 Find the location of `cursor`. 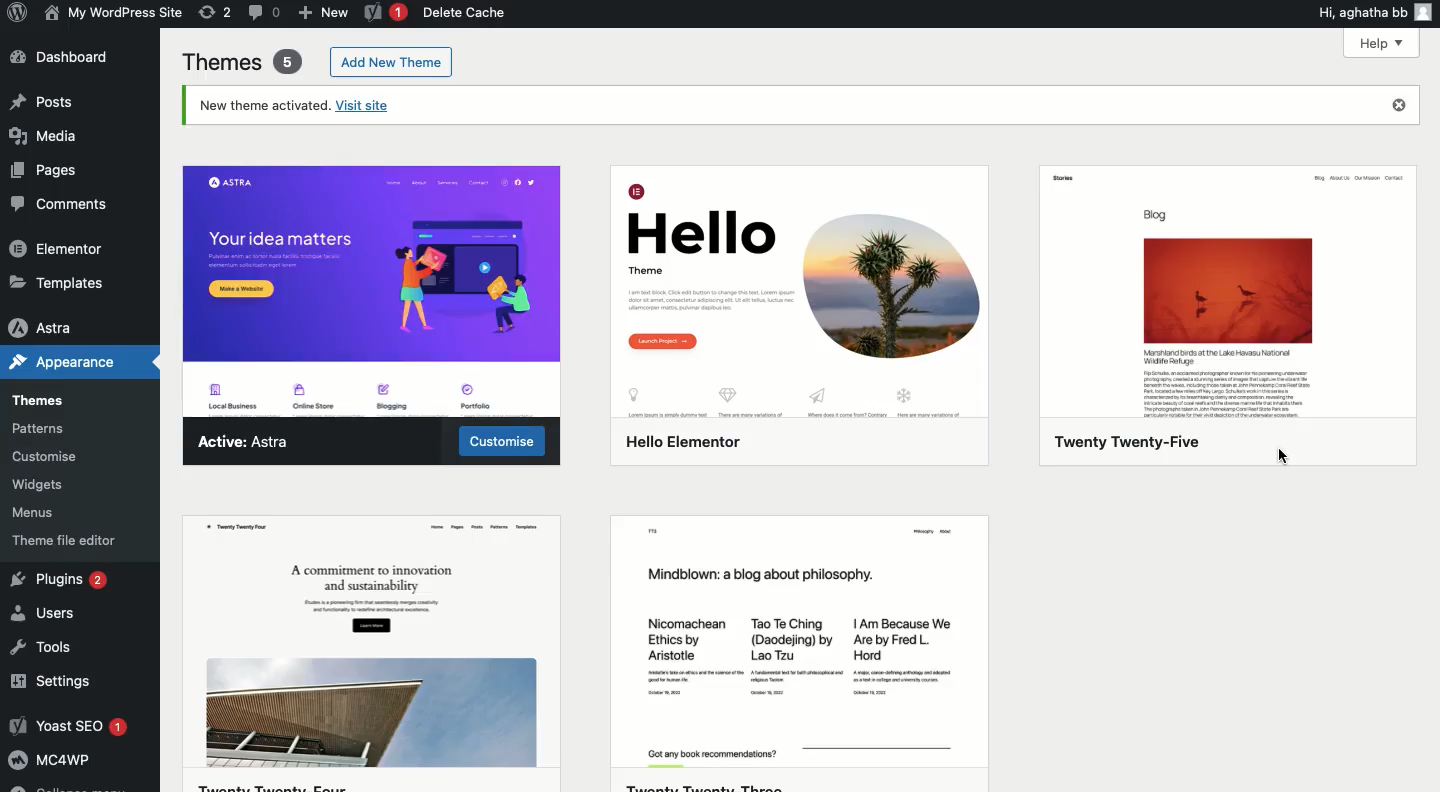

cursor is located at coordinates (1284, 457).